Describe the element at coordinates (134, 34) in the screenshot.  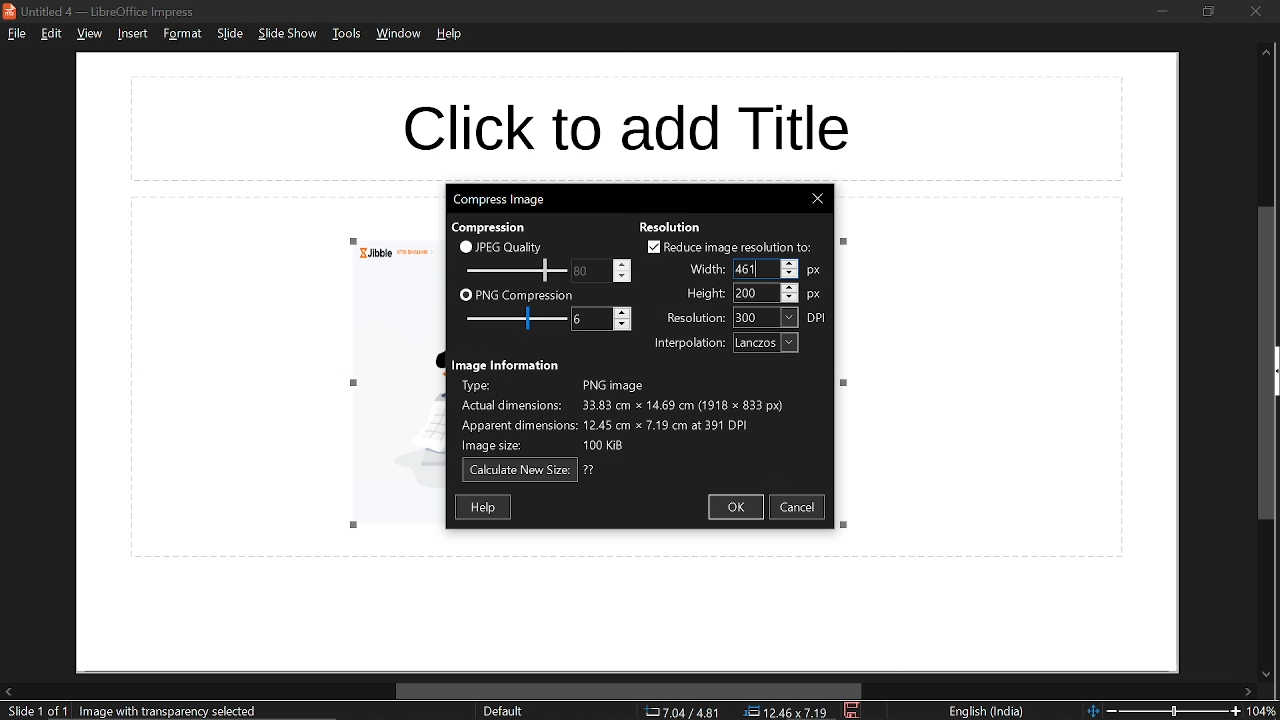
I see `insert` at that location.